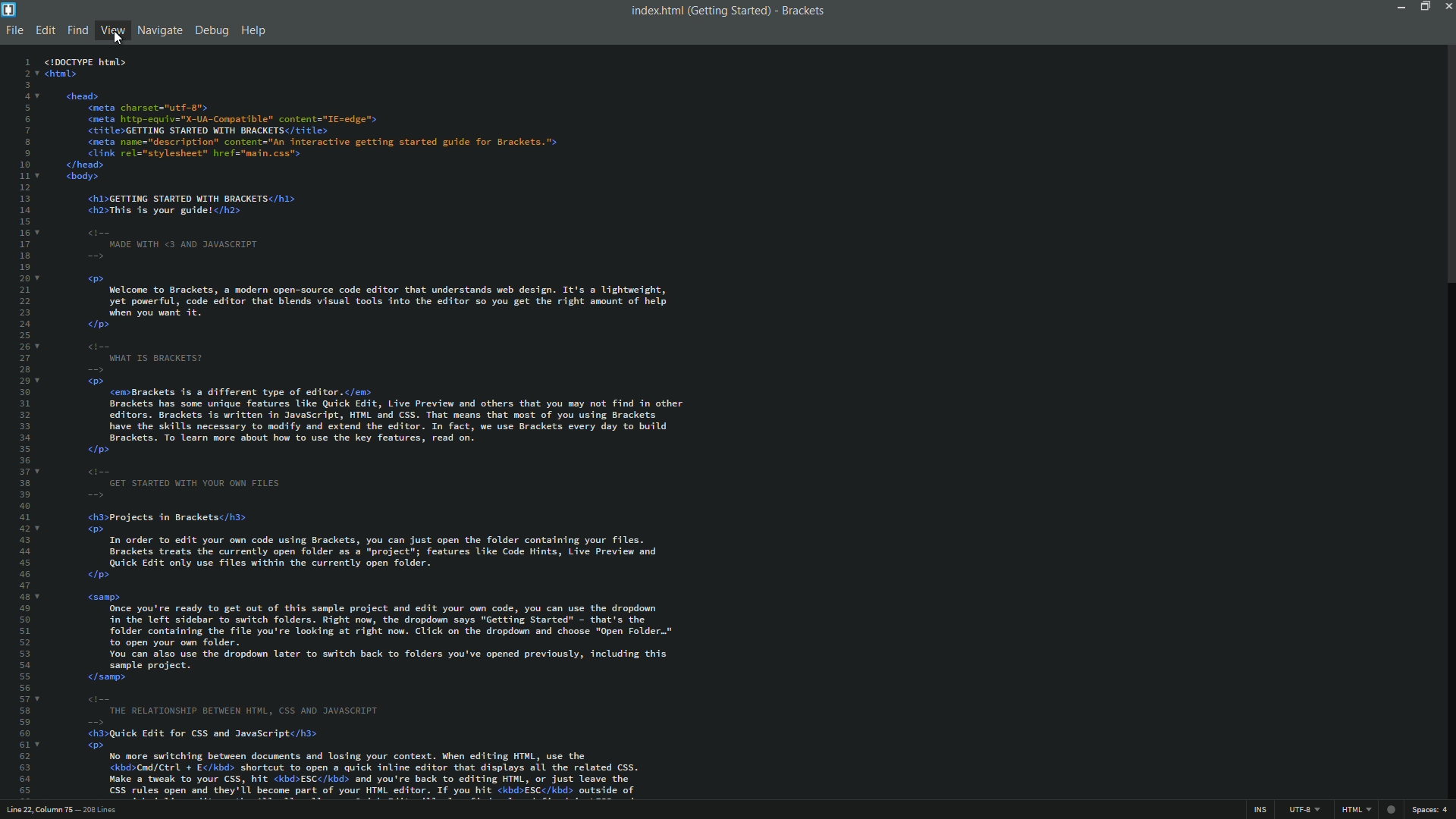 This screenshot has width=1456, height=819. What do you see at coordinates (1423, 6) in the screenshot?
I see `maximize` at bounding box center [1423, 6].